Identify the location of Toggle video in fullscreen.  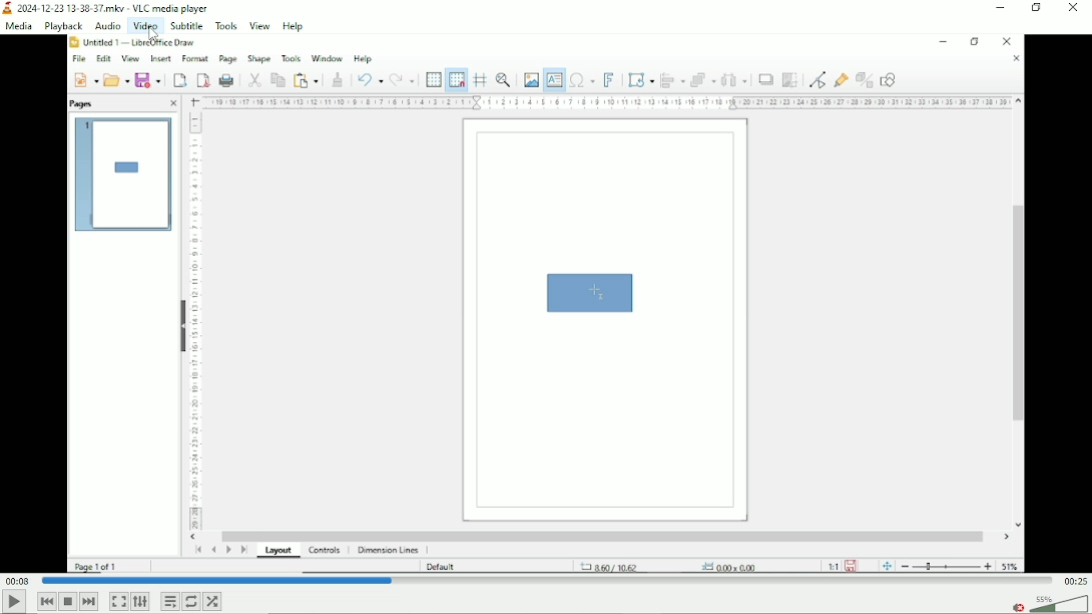
(118, 602).